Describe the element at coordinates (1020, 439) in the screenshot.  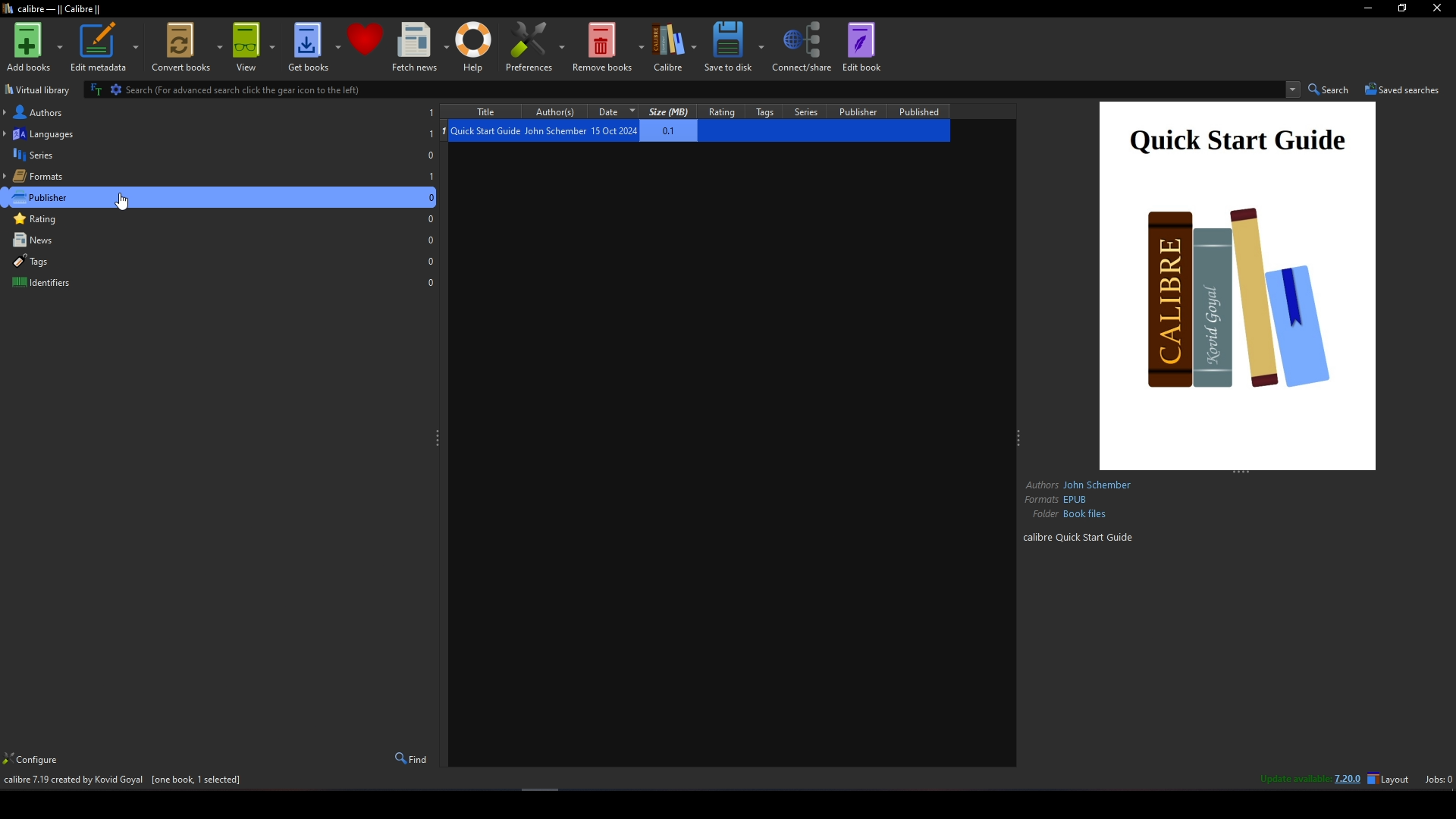
I see `Right panel slider` at that location.